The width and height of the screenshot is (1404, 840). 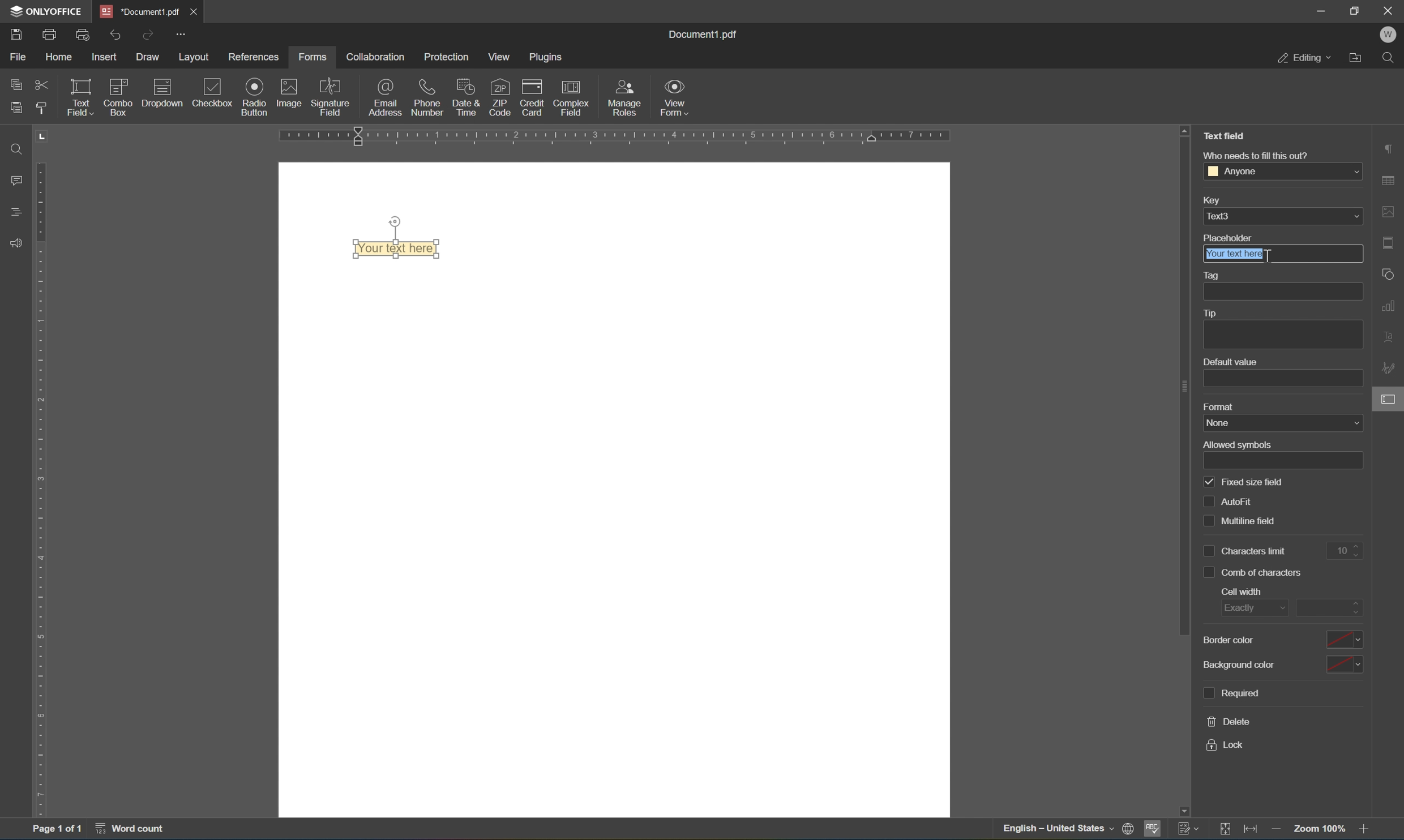 I want to click on key, so click(x=1219, y=200).